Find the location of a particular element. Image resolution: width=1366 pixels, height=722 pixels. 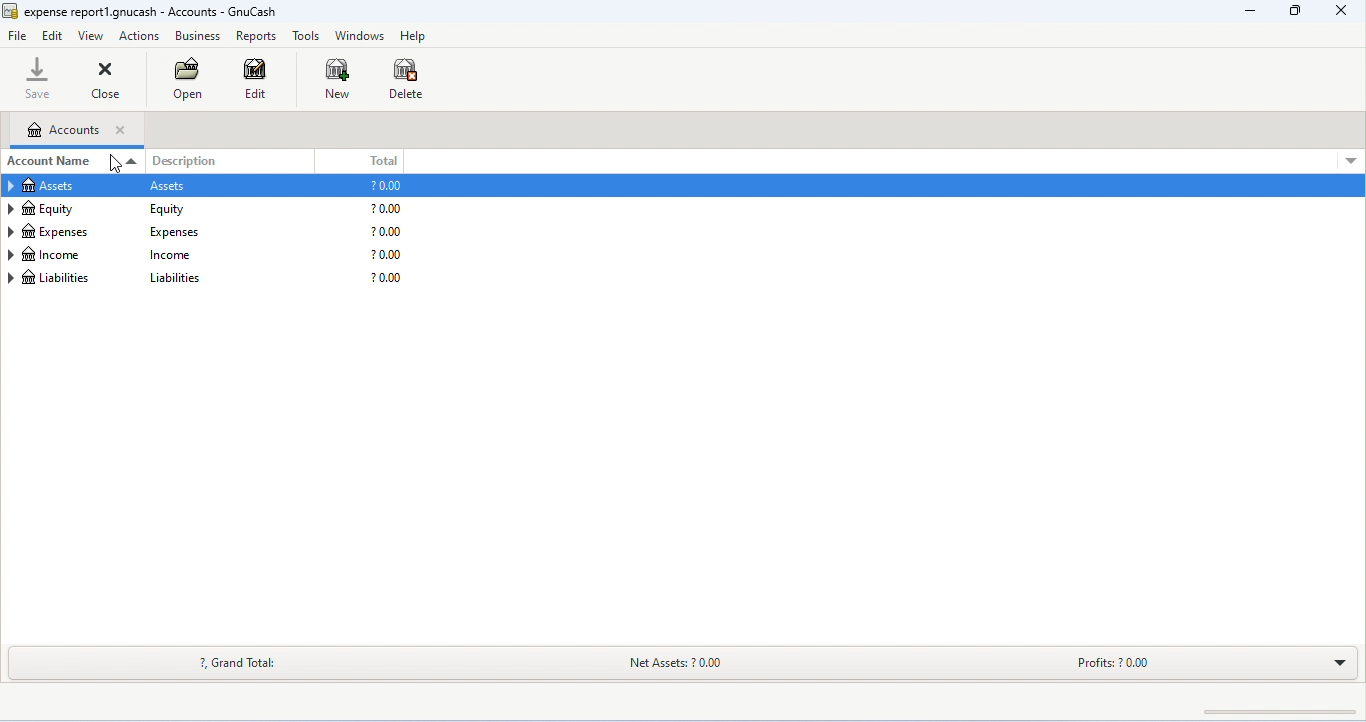

file is located at coordinates (19, 38).